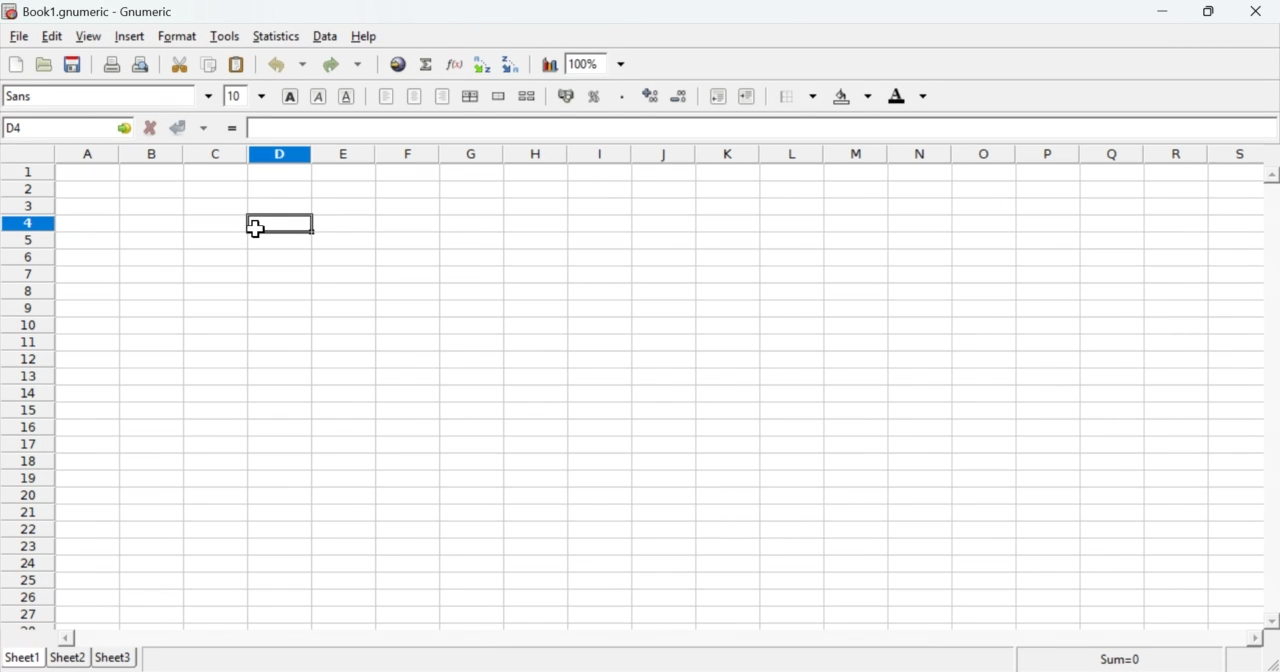  What do you see at coordinates (99, 11) in the screenshot?
I see `Book1.gnumeric - Gnumeric` at bounding box center [99, 11].